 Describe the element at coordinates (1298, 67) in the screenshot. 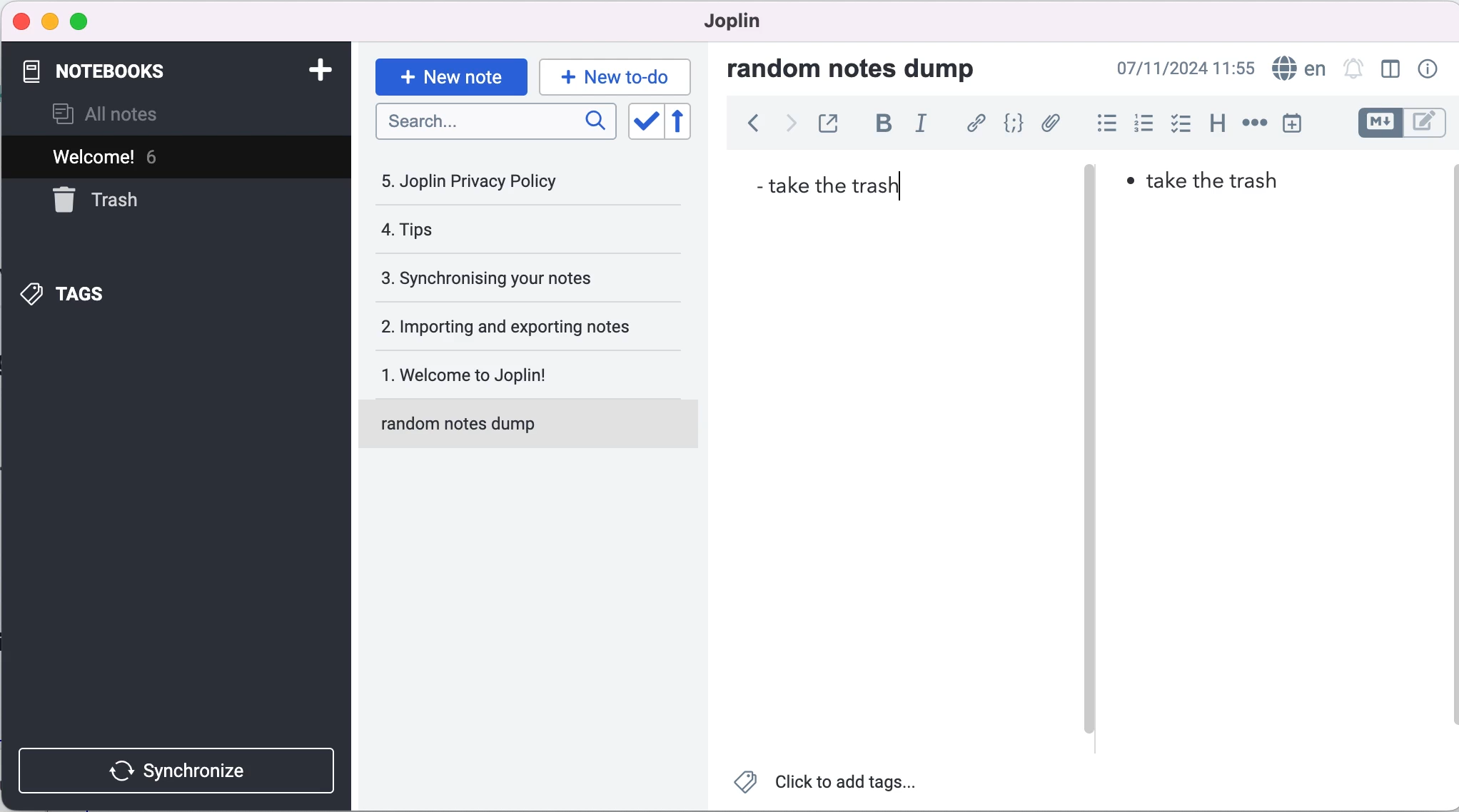

I see `language` at that location.